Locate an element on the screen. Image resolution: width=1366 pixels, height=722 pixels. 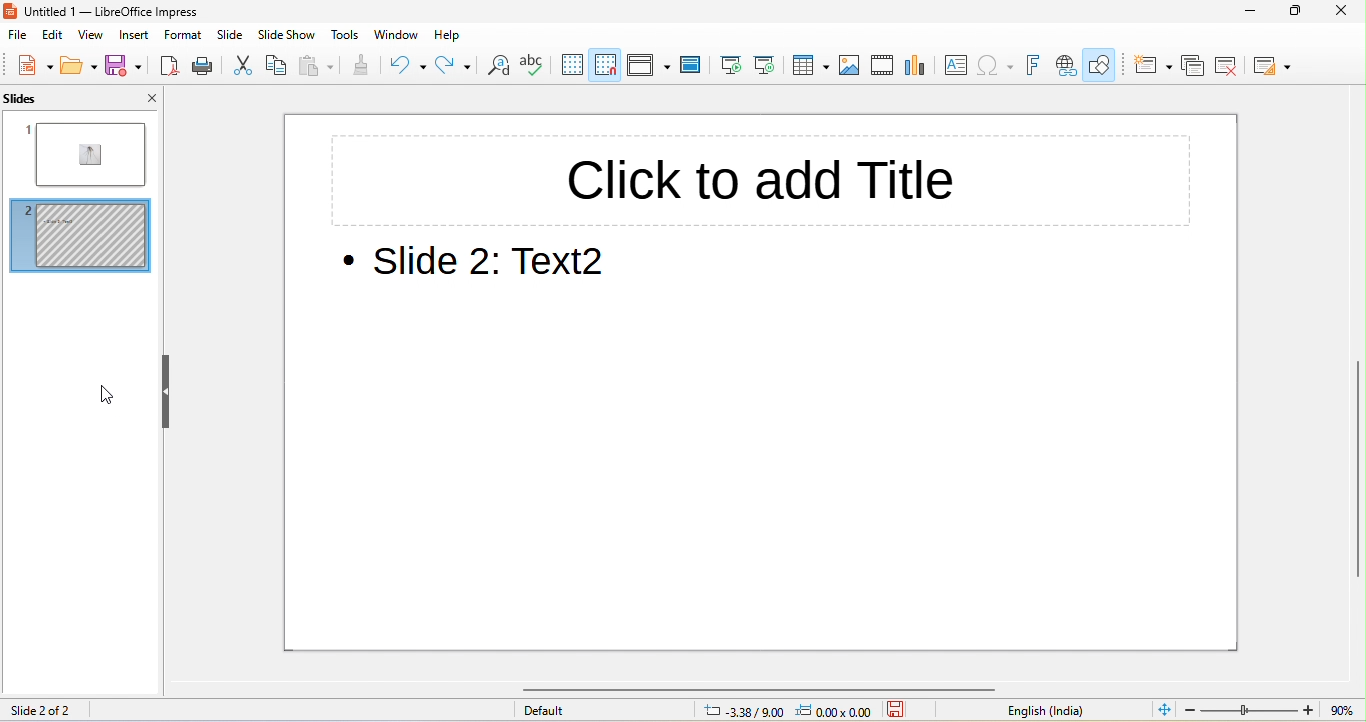
untitled 1-libreoffice impress is located at coordinates (155, 12).